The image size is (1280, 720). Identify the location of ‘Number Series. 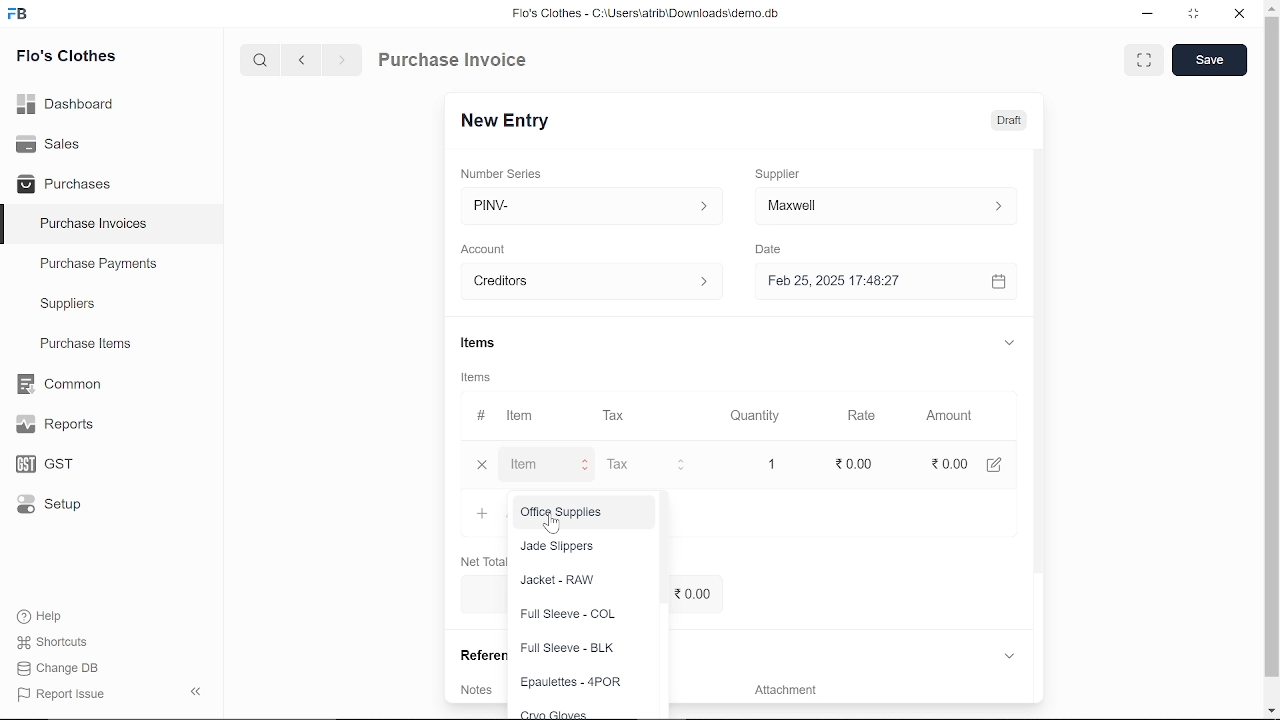
(516, 173).